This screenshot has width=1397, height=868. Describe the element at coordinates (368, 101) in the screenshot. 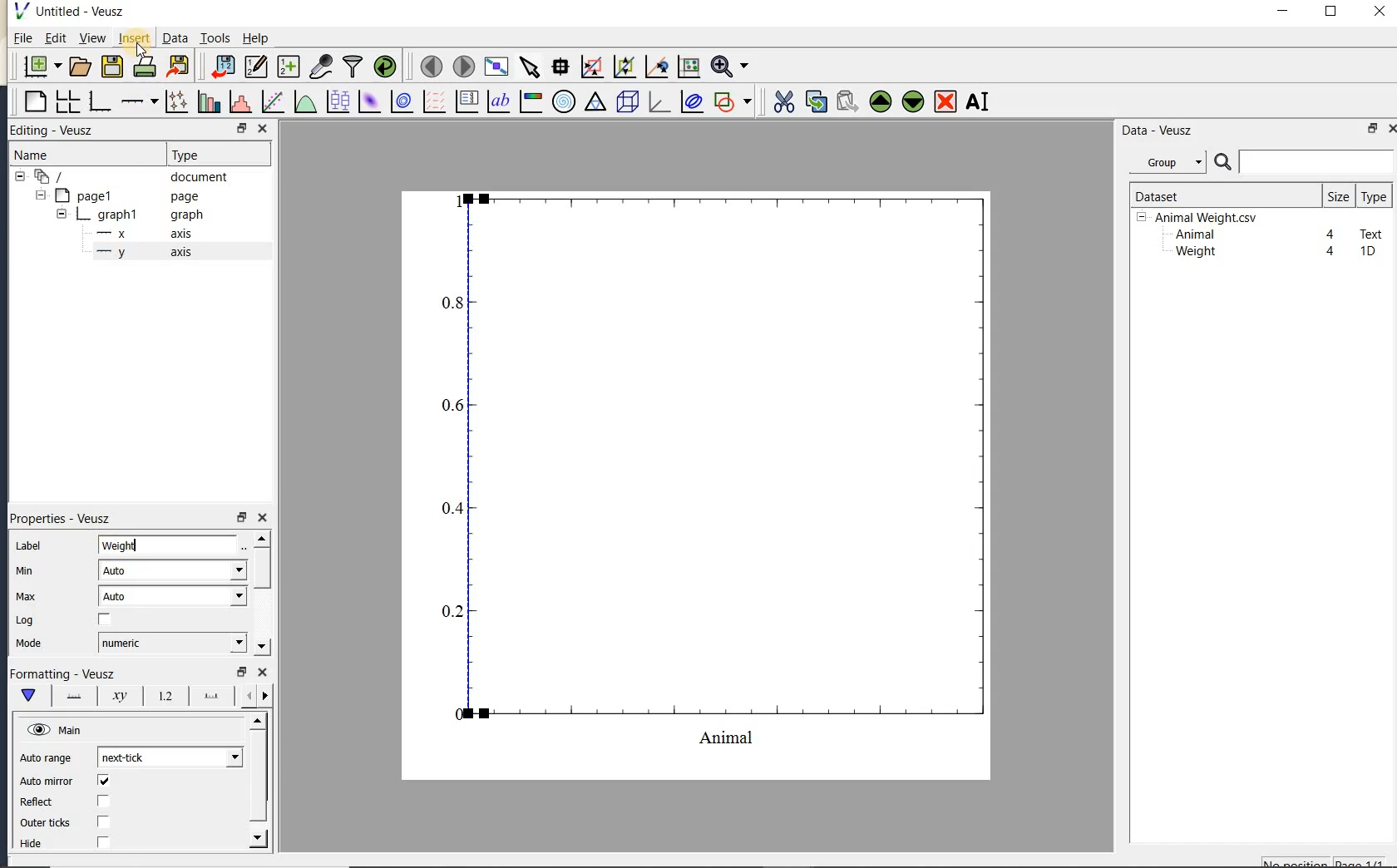

I see `plot a 2d dataset as an image` at that location.